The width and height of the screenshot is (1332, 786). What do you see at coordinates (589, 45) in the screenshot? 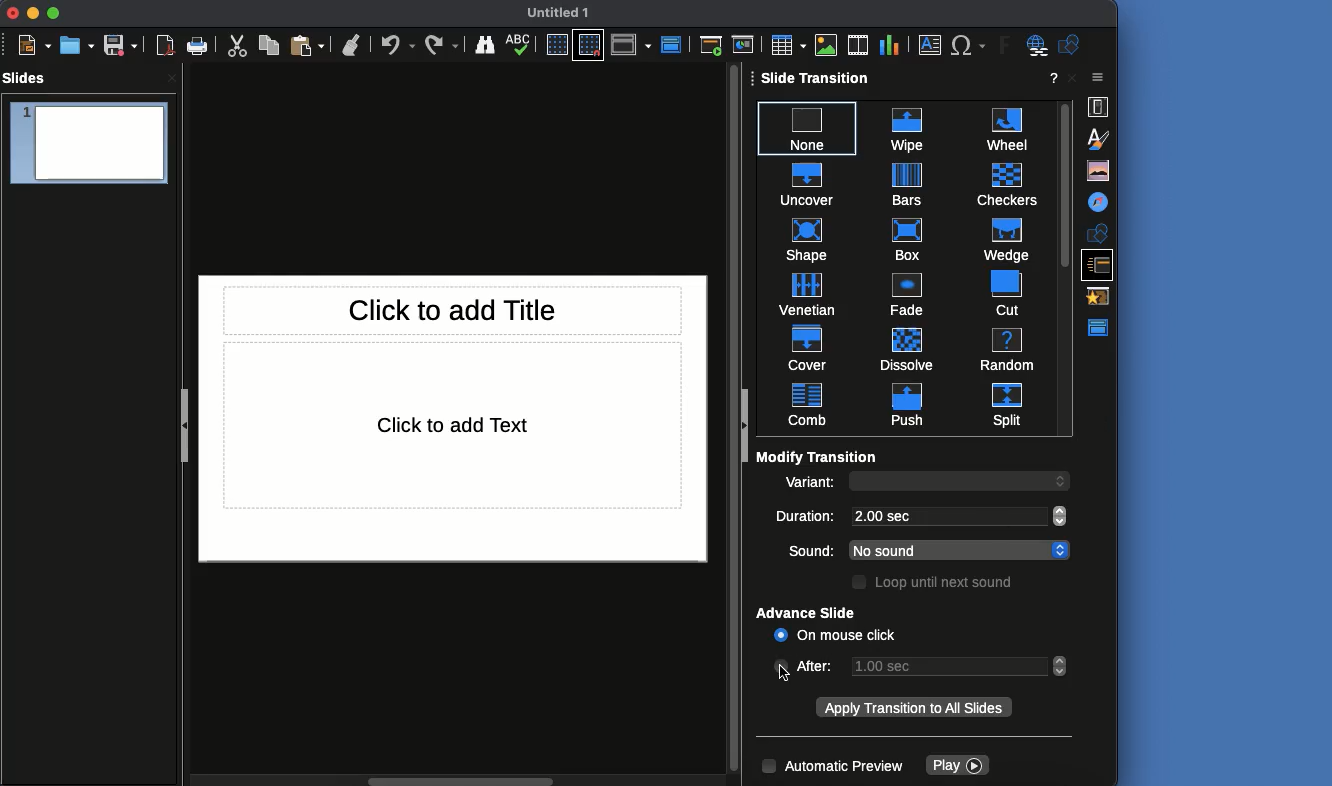
I see `Snap to grid` at bounding box center [589, 45].